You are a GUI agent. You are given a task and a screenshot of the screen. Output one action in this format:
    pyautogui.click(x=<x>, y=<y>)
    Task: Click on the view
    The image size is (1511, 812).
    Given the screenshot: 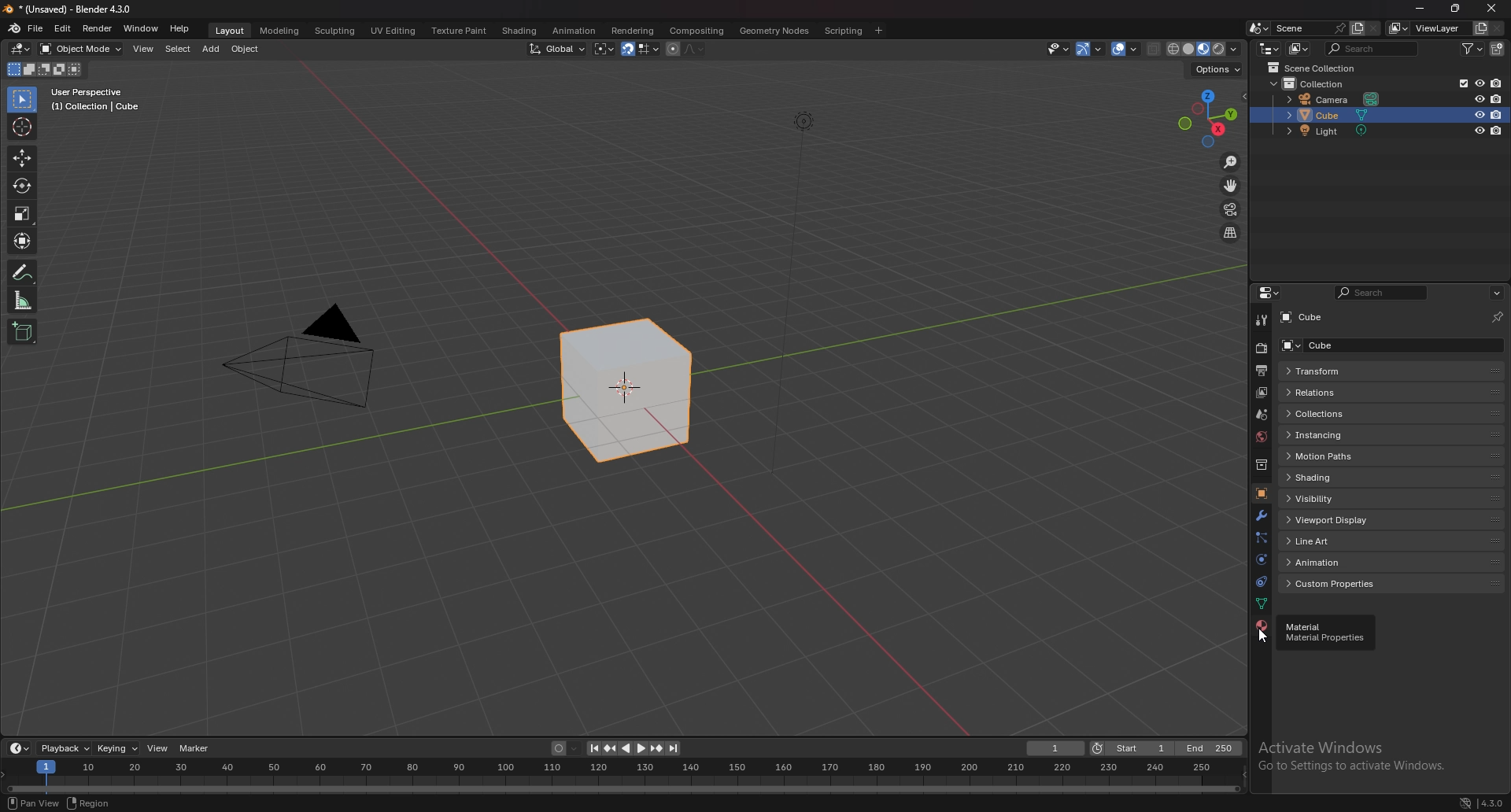 What is the action you would take?
    pyautogui.click(x=145, y=49)
    